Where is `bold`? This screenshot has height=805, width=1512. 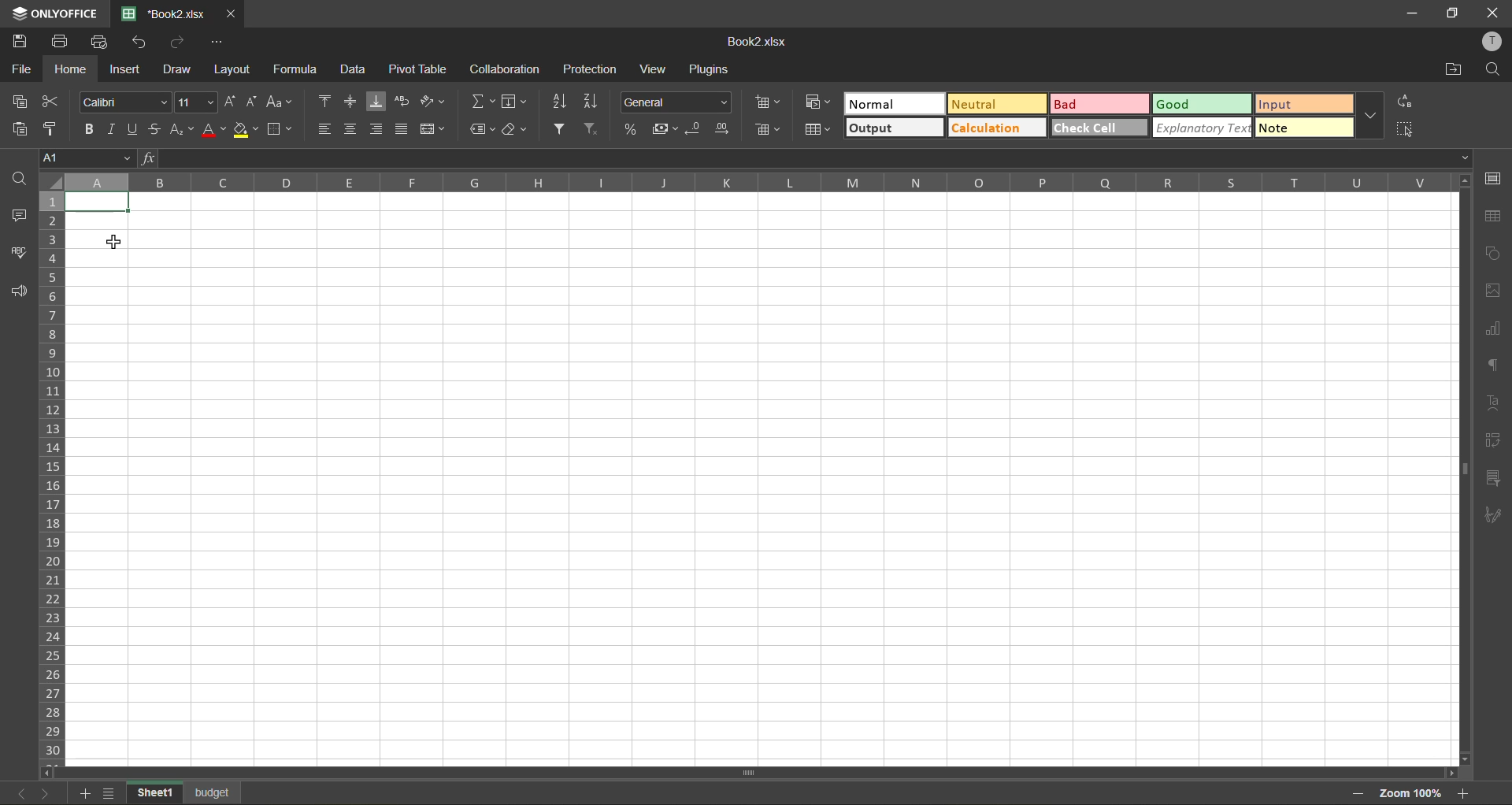
bold is located at coordinates (86, 129).